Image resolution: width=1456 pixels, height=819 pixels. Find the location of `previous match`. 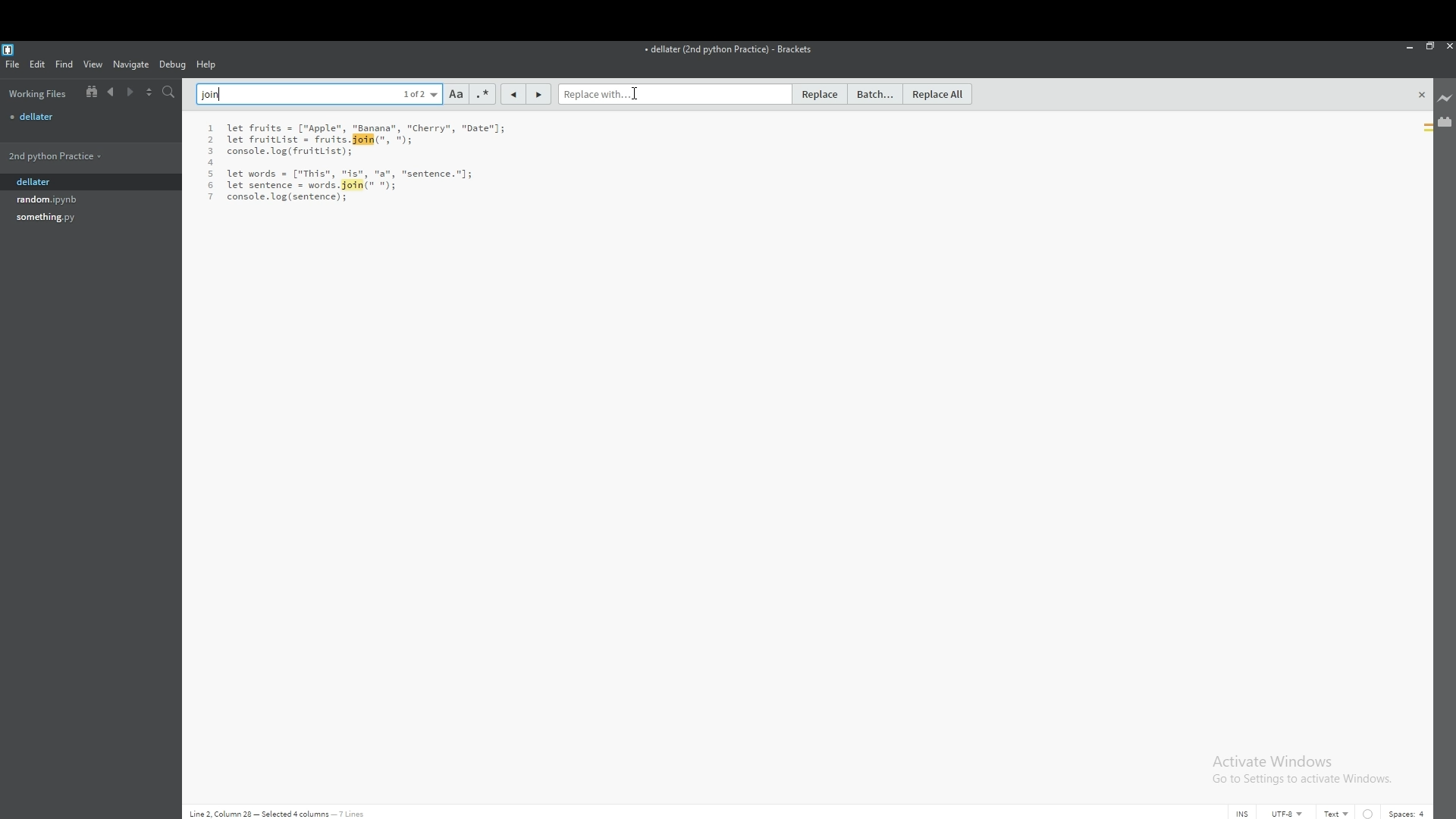

previous match is located at coordinates (512, 95).